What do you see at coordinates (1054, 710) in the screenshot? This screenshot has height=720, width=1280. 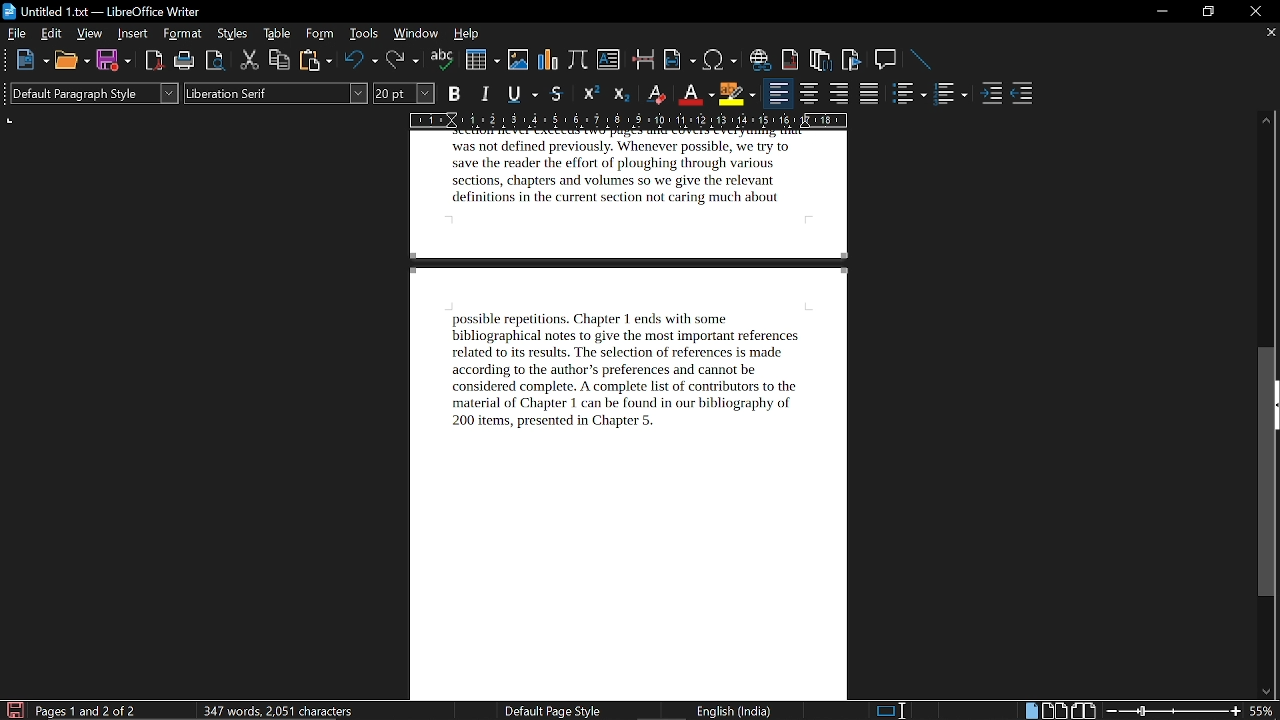 I see `multiple page view` at bounding box center [1054, 710].